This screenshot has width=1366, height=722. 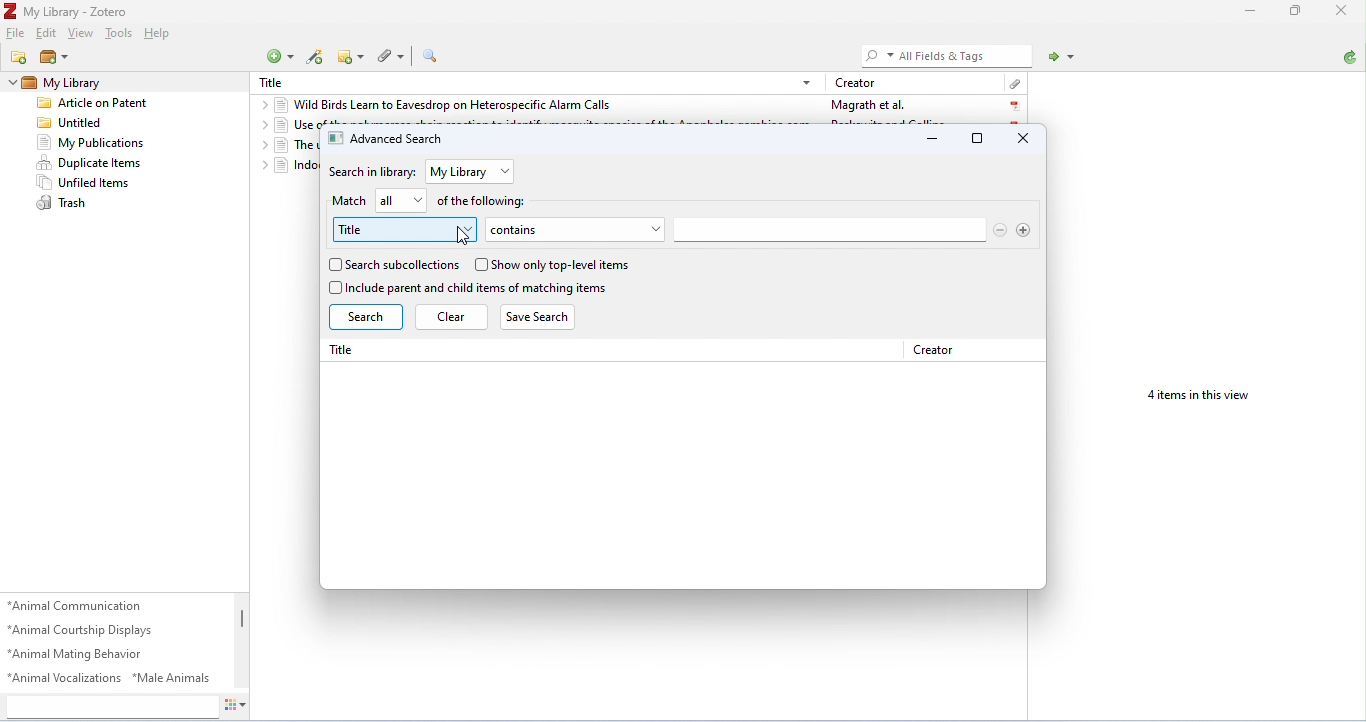 I want to click on checkbox, so click(x=335, y=265).